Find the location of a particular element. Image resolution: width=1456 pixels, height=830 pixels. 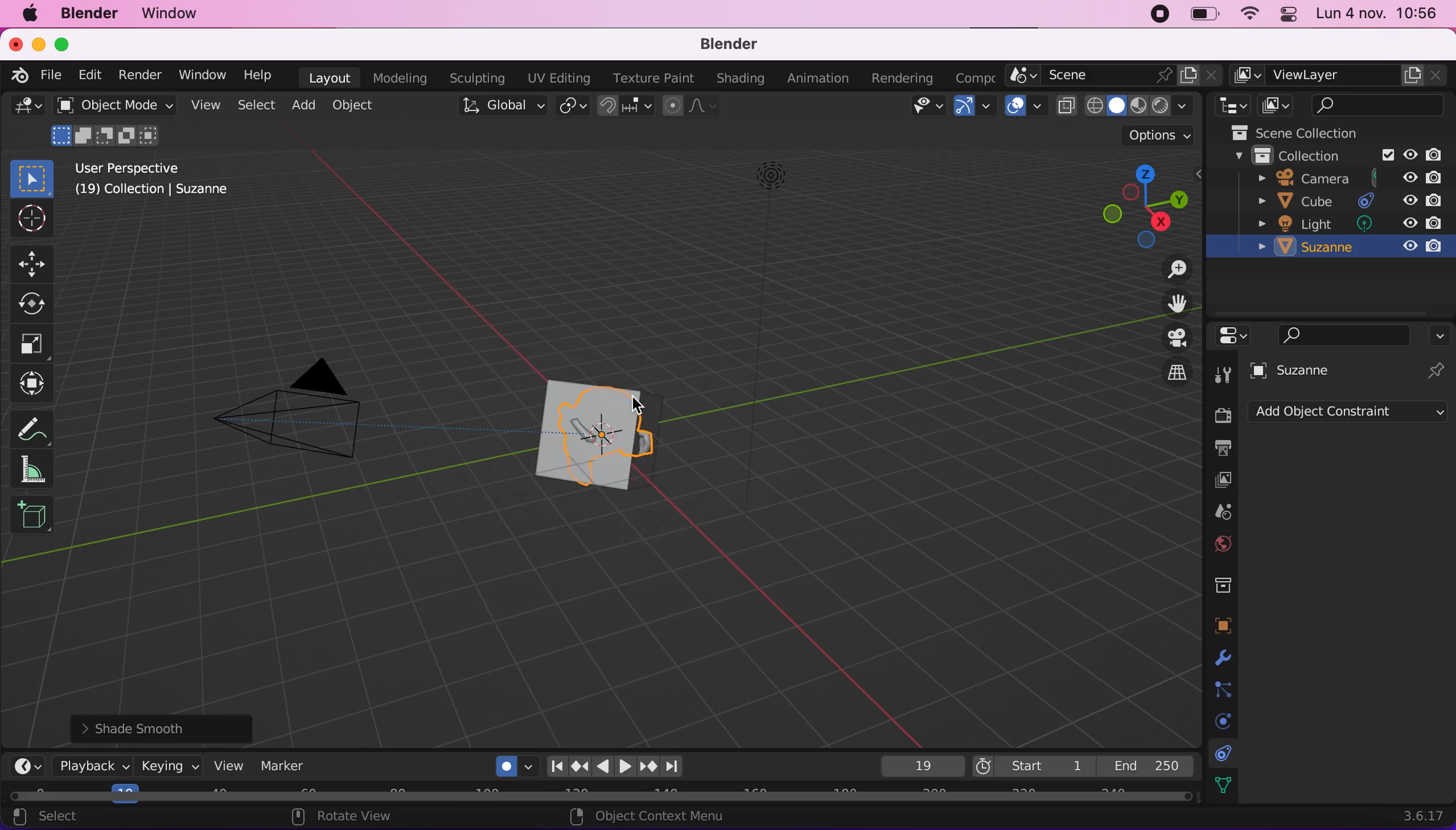

display is located at coordinates (1222, 479).